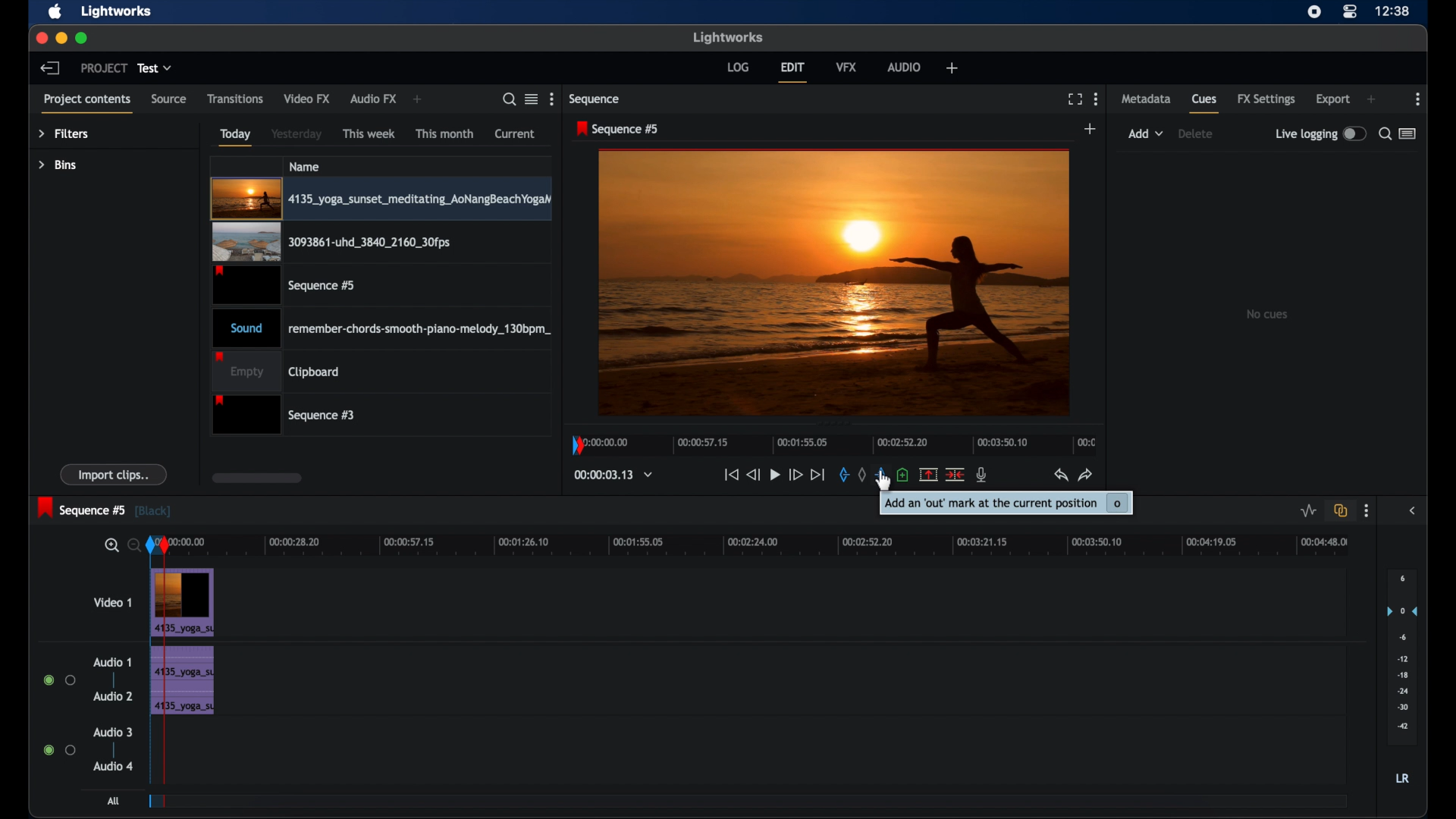  What do you see at coordinates (1309, 511) in the screenshot?
I see `toggle audio level editing` at bounding box center [1309, 511].